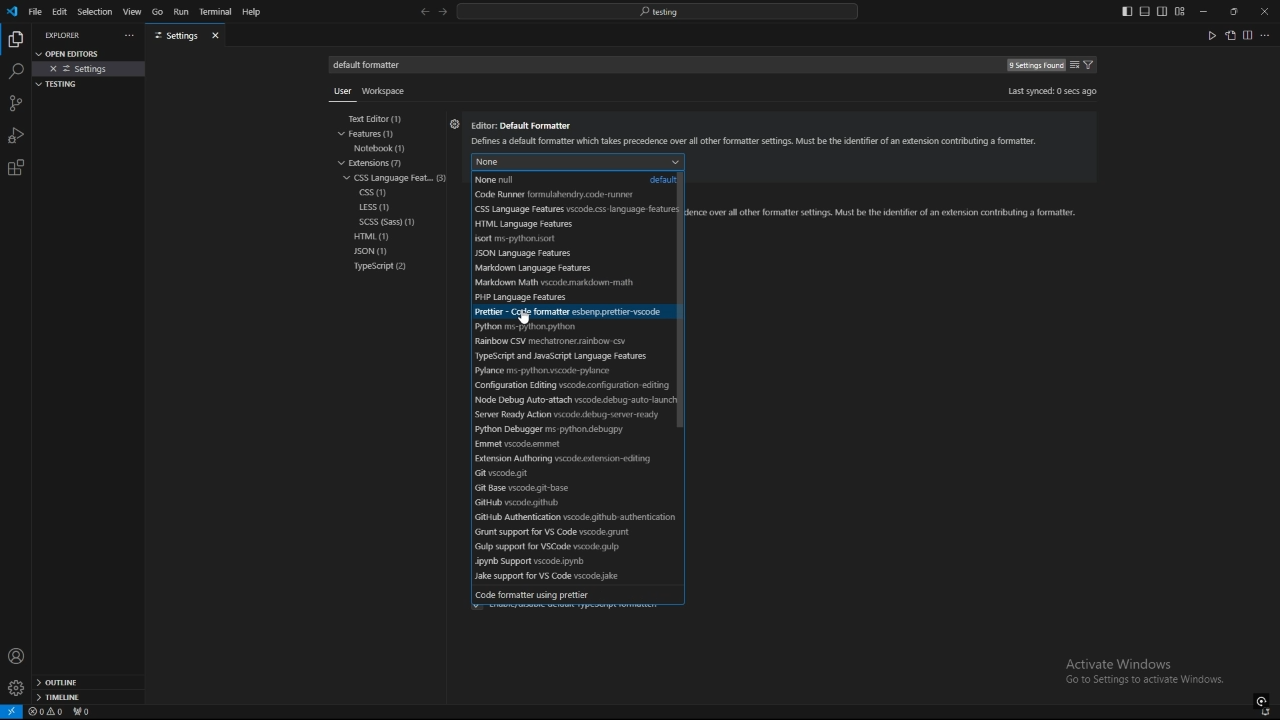 The width and height of the screenshot is (1280, 720). What do you see at coordinates (1266, 35) in the screenshot?
I see `more actions` at bounding box center [1266, 35].